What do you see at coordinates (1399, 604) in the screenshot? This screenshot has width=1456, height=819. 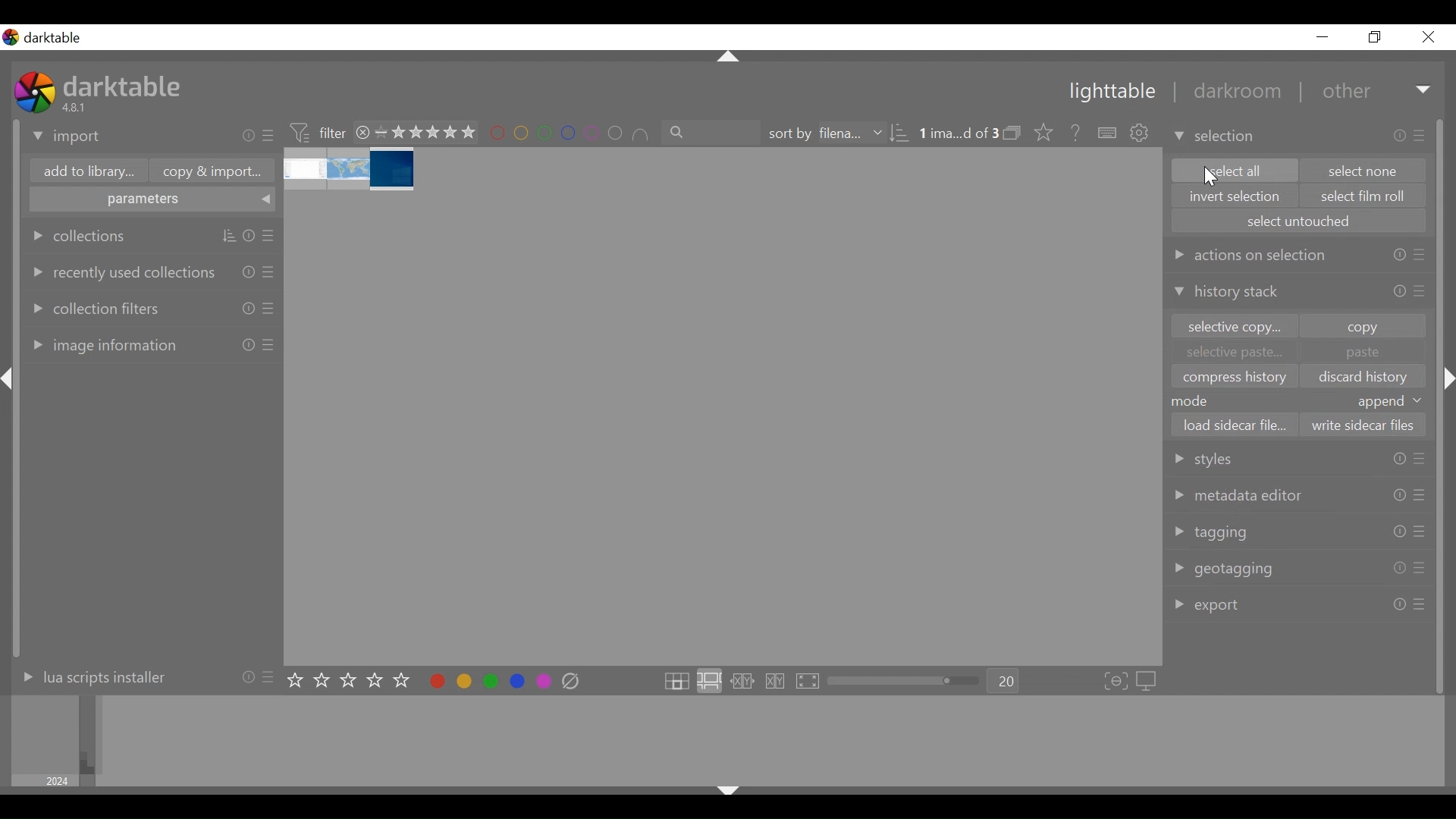 I see `info` at bounding box center [1399, 604].